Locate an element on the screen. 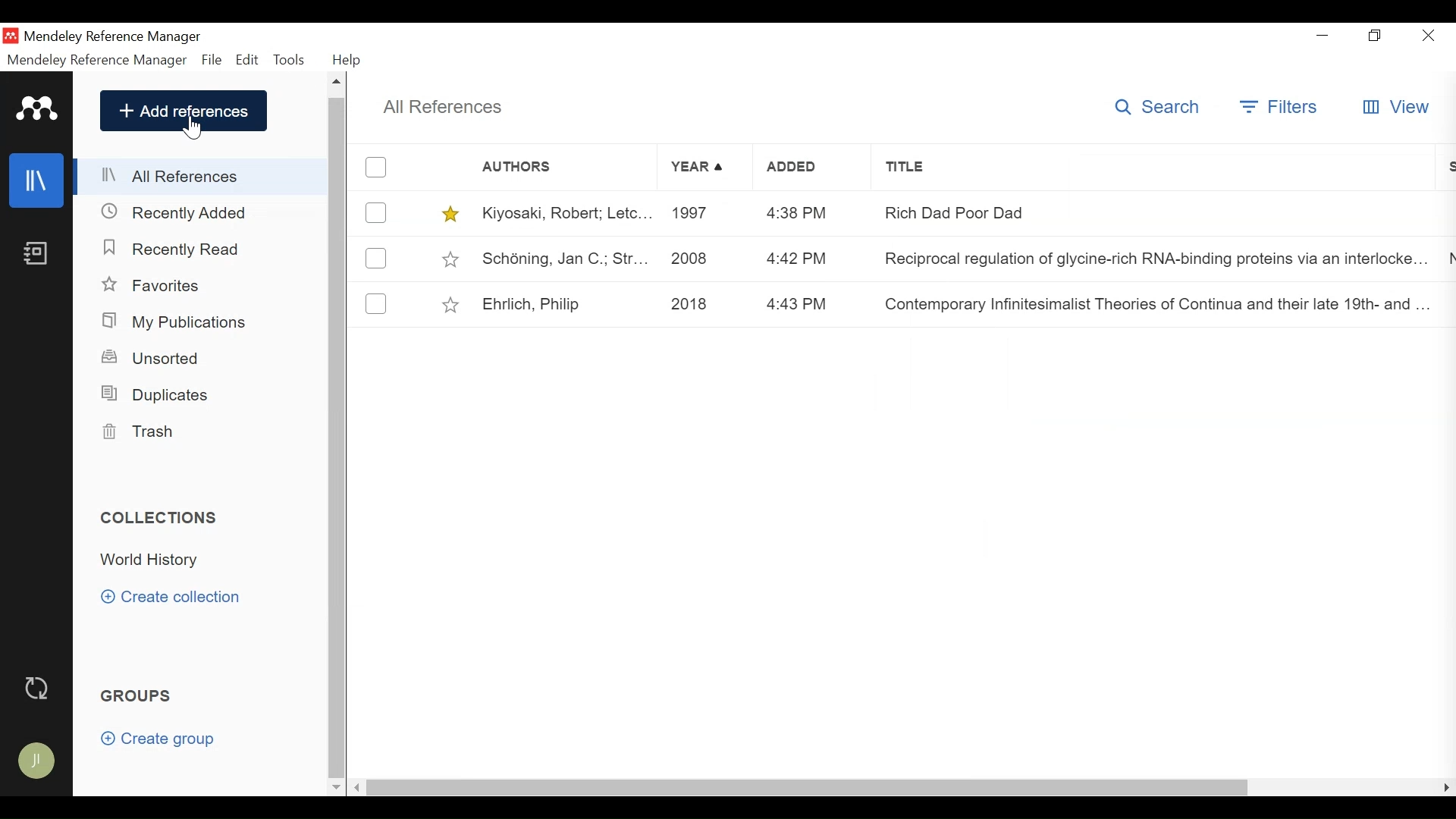 This screenshot has width=1456, height=819. Duplicates is located at coordinates (157, 393).